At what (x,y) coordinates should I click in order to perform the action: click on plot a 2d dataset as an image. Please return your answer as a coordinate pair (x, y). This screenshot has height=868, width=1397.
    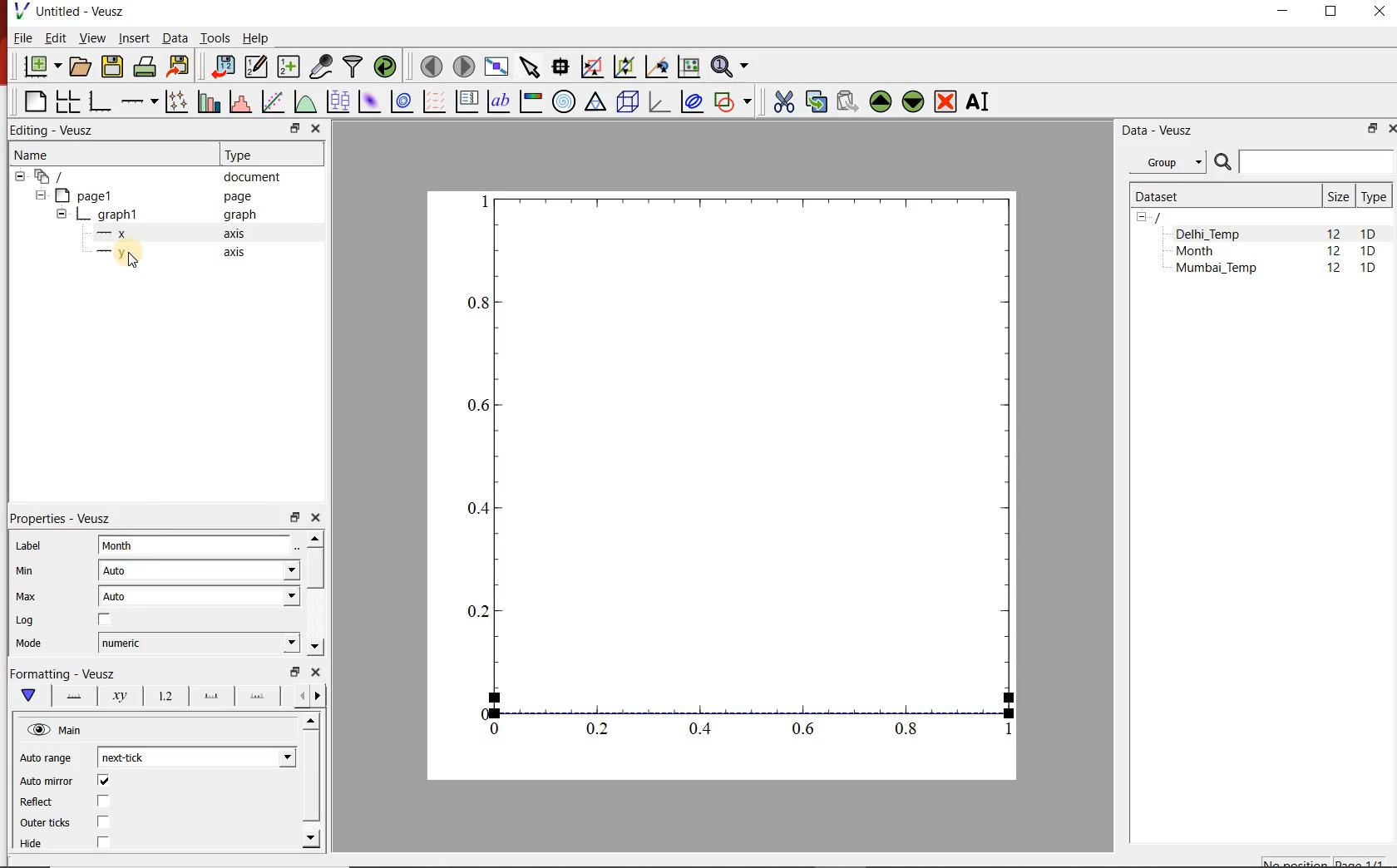
    Looking at the image, I should click on (371, 101).